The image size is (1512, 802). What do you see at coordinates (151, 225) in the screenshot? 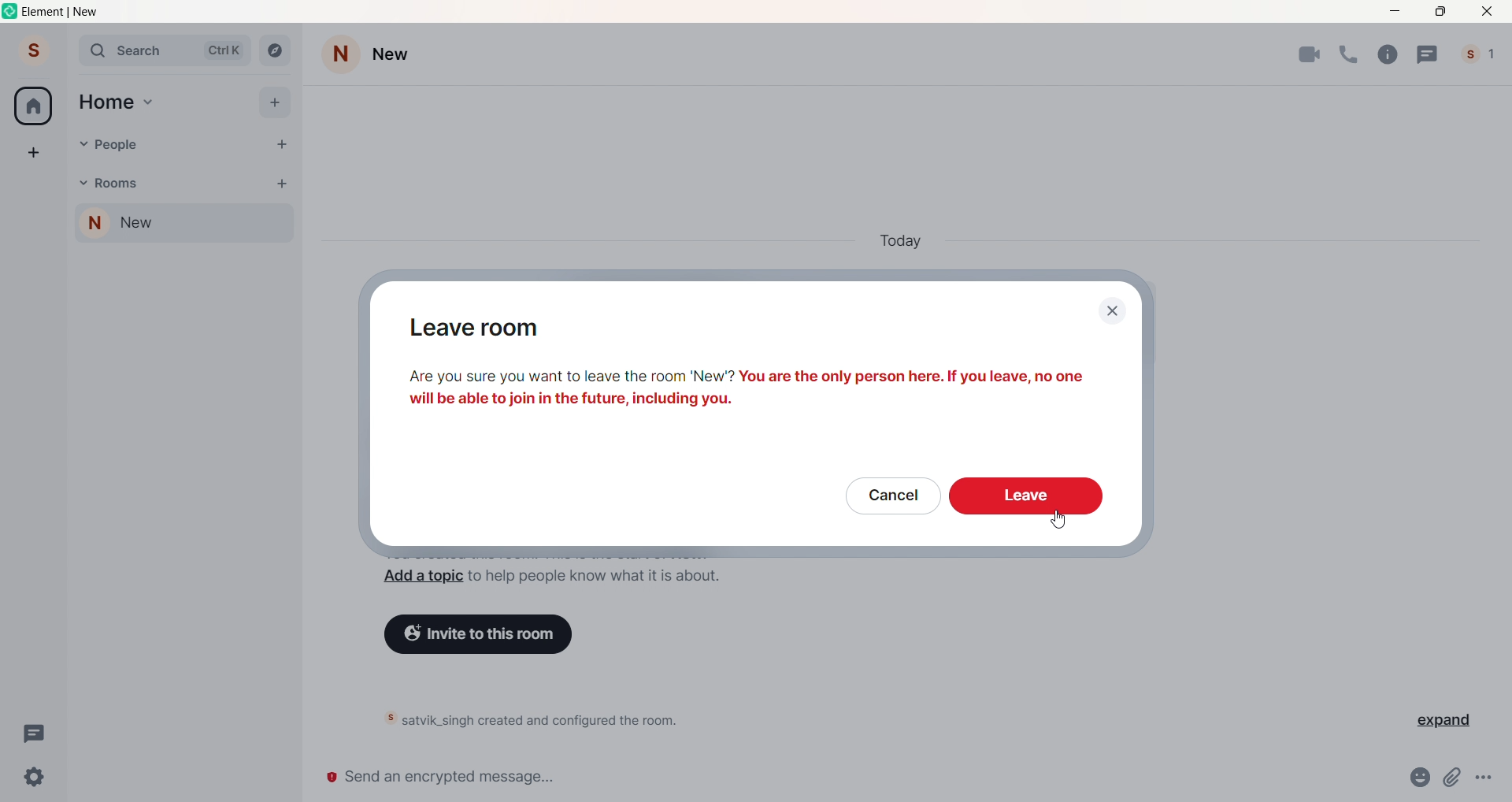
I see `new` at bounding box center [151, 225].